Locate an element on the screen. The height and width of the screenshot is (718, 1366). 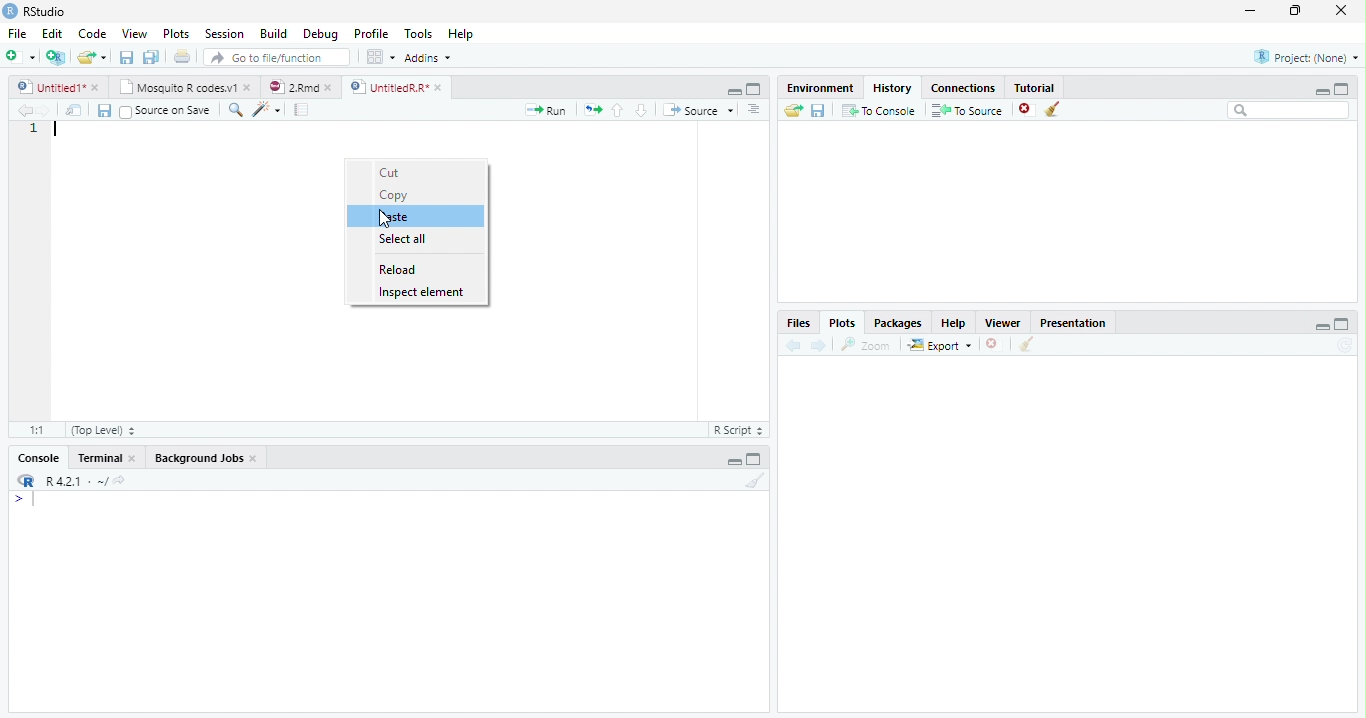
Console is located at coordinates (40, 457).